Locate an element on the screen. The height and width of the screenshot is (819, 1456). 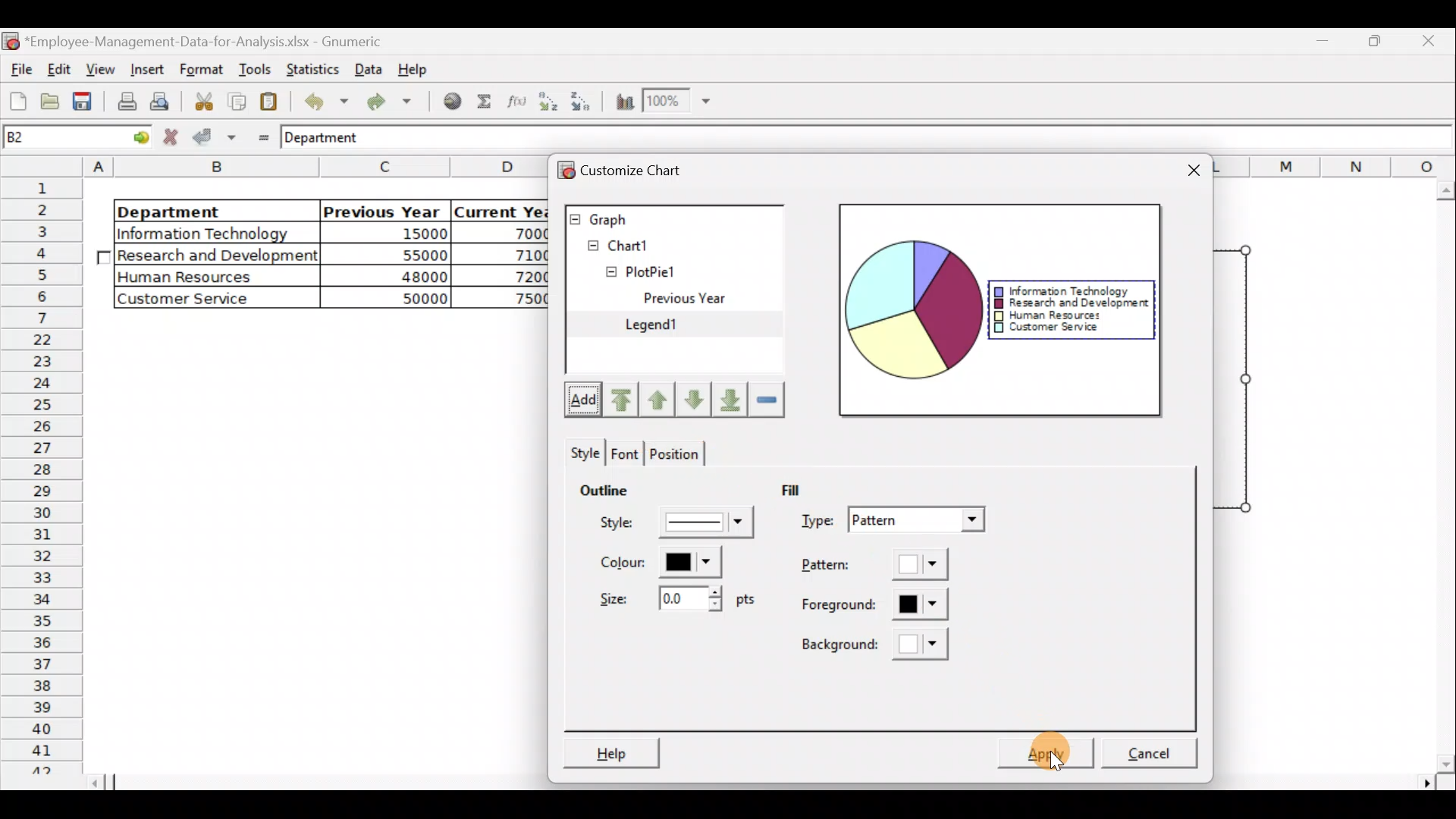
Zoom is located at coordinates (676, 103).